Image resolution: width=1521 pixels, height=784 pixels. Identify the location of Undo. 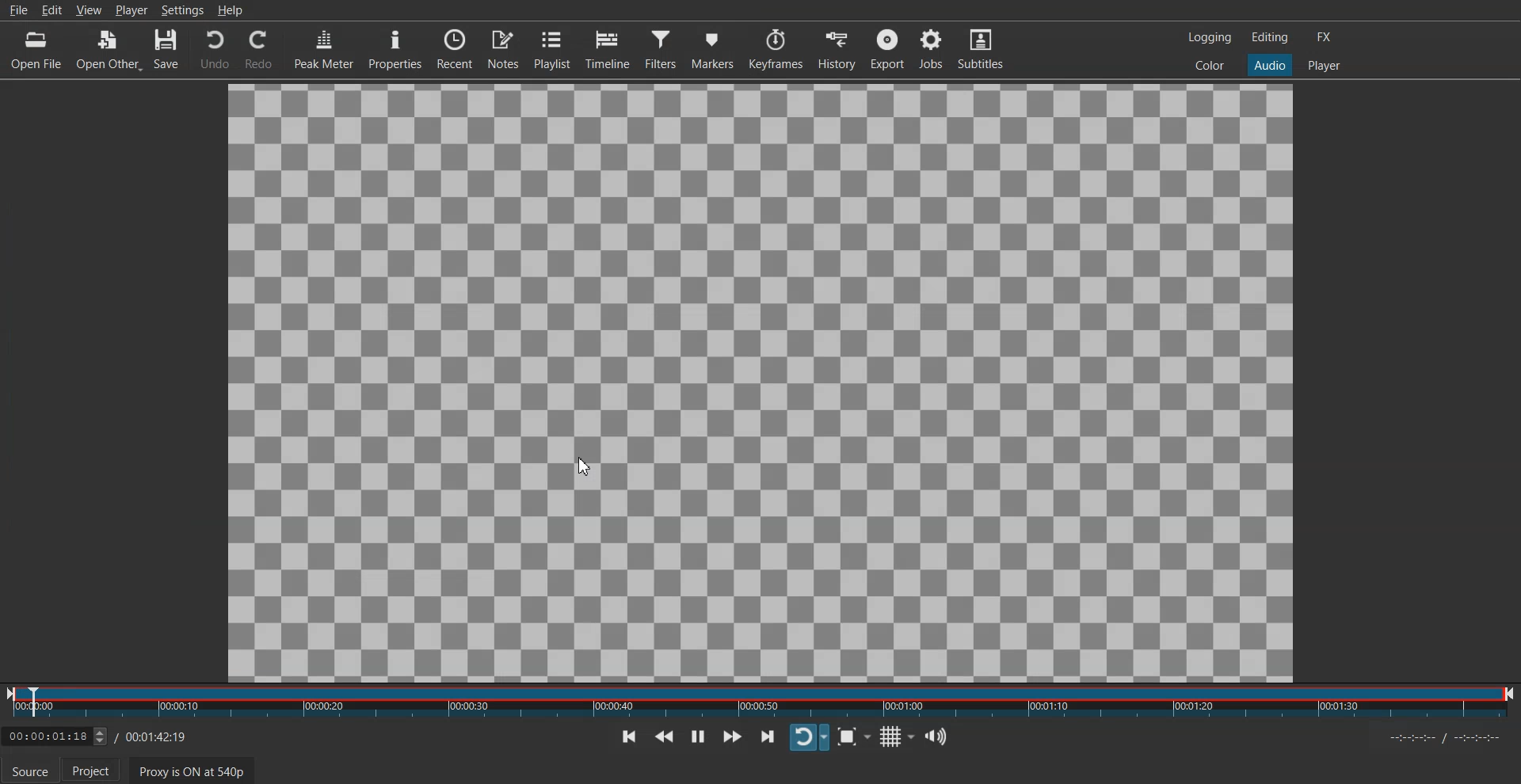
(214, 48).